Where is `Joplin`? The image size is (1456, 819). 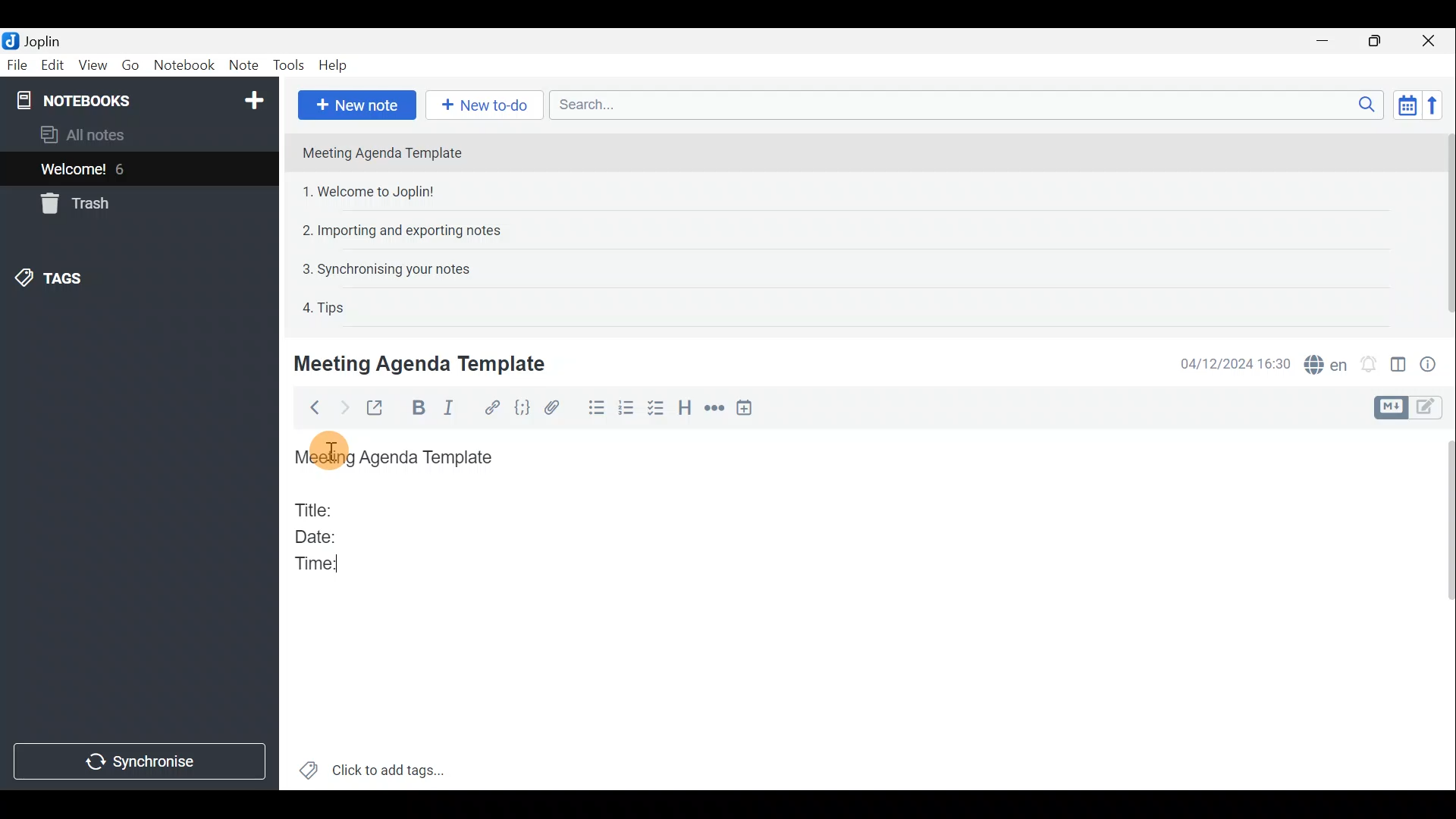 Joplin is located at coordinates (42, 40).